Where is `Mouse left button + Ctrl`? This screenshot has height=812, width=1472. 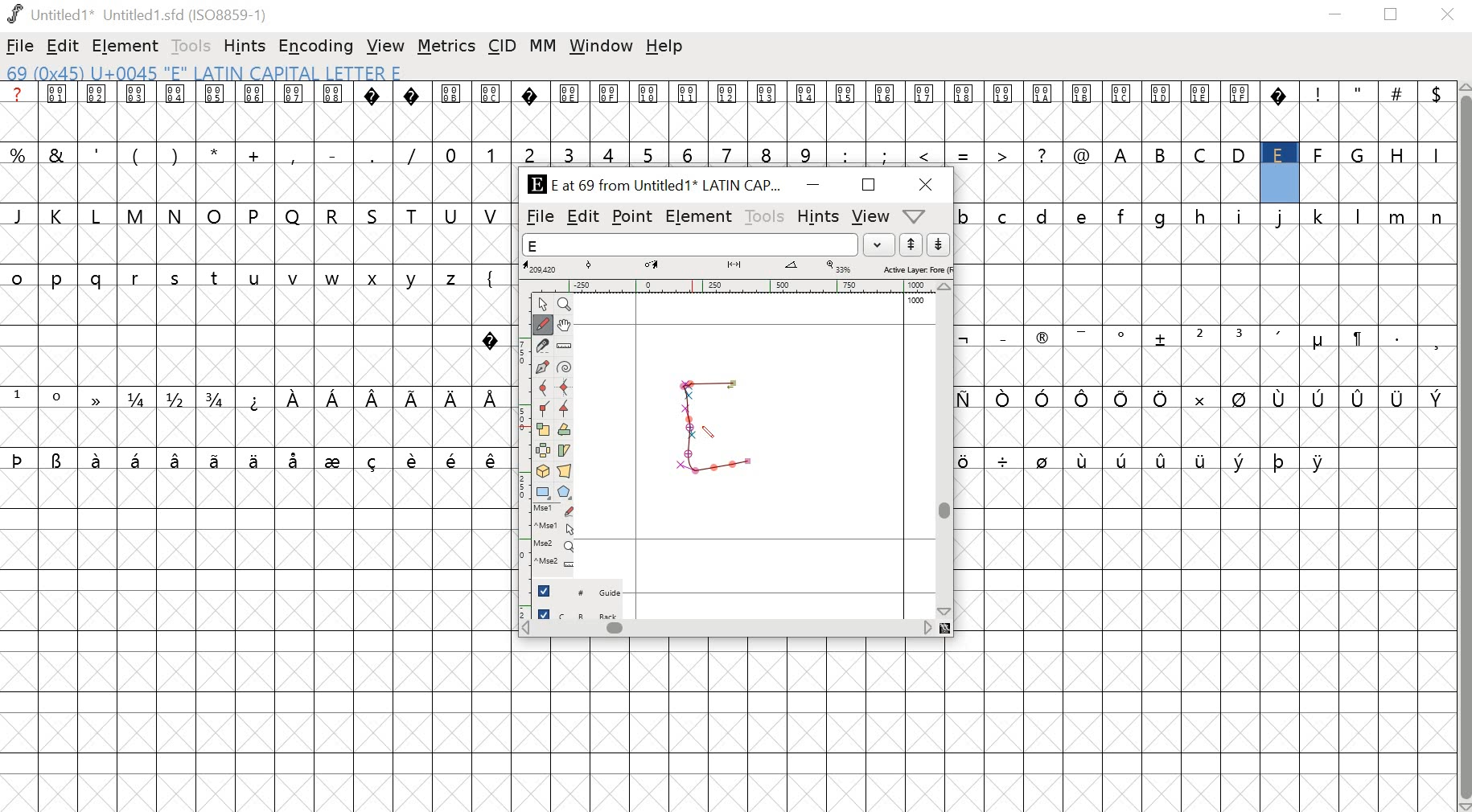
Mouse left button + Ctrl is located at coordinates (553, 529).